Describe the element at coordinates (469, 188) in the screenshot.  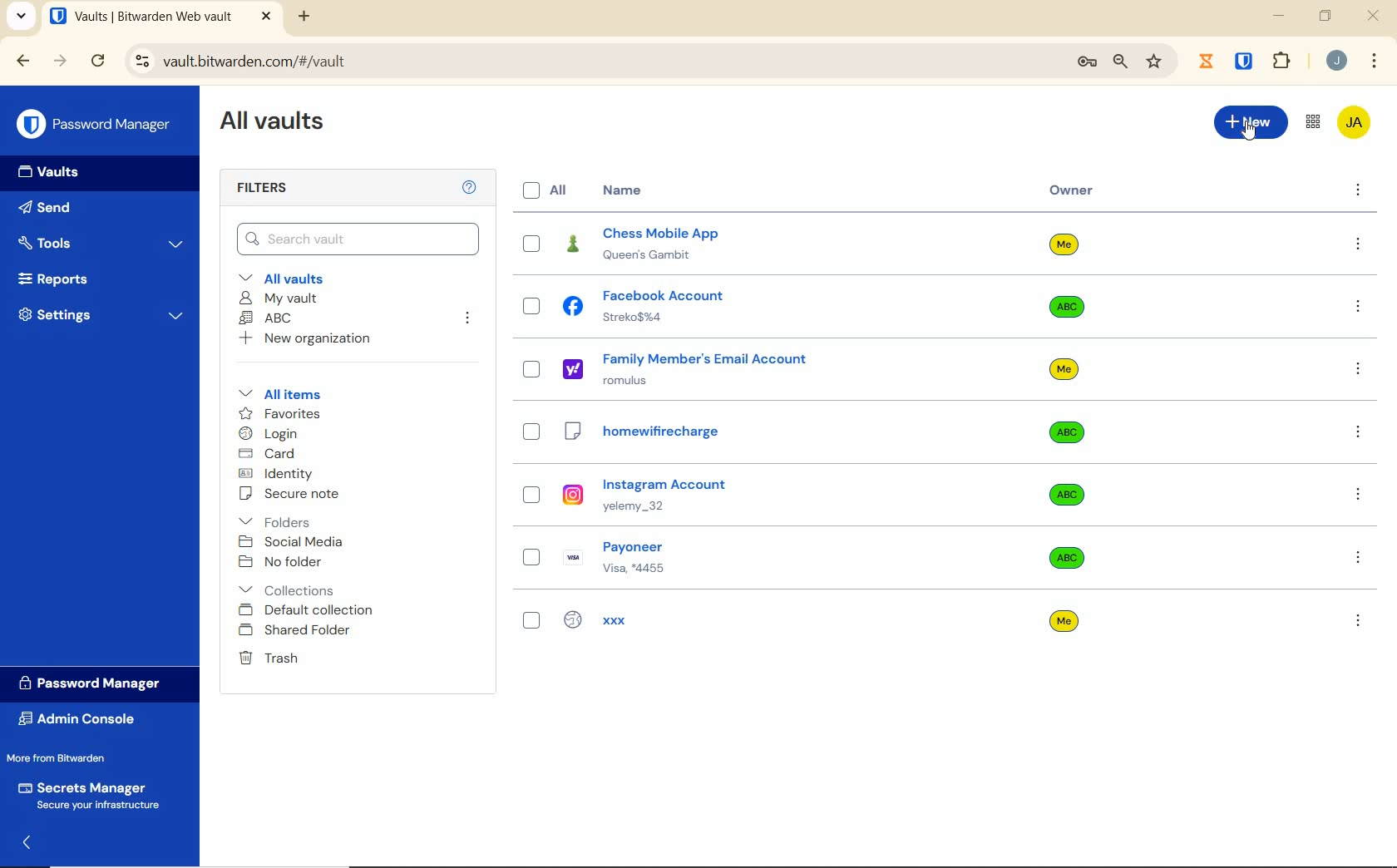
I see `help` at that location.